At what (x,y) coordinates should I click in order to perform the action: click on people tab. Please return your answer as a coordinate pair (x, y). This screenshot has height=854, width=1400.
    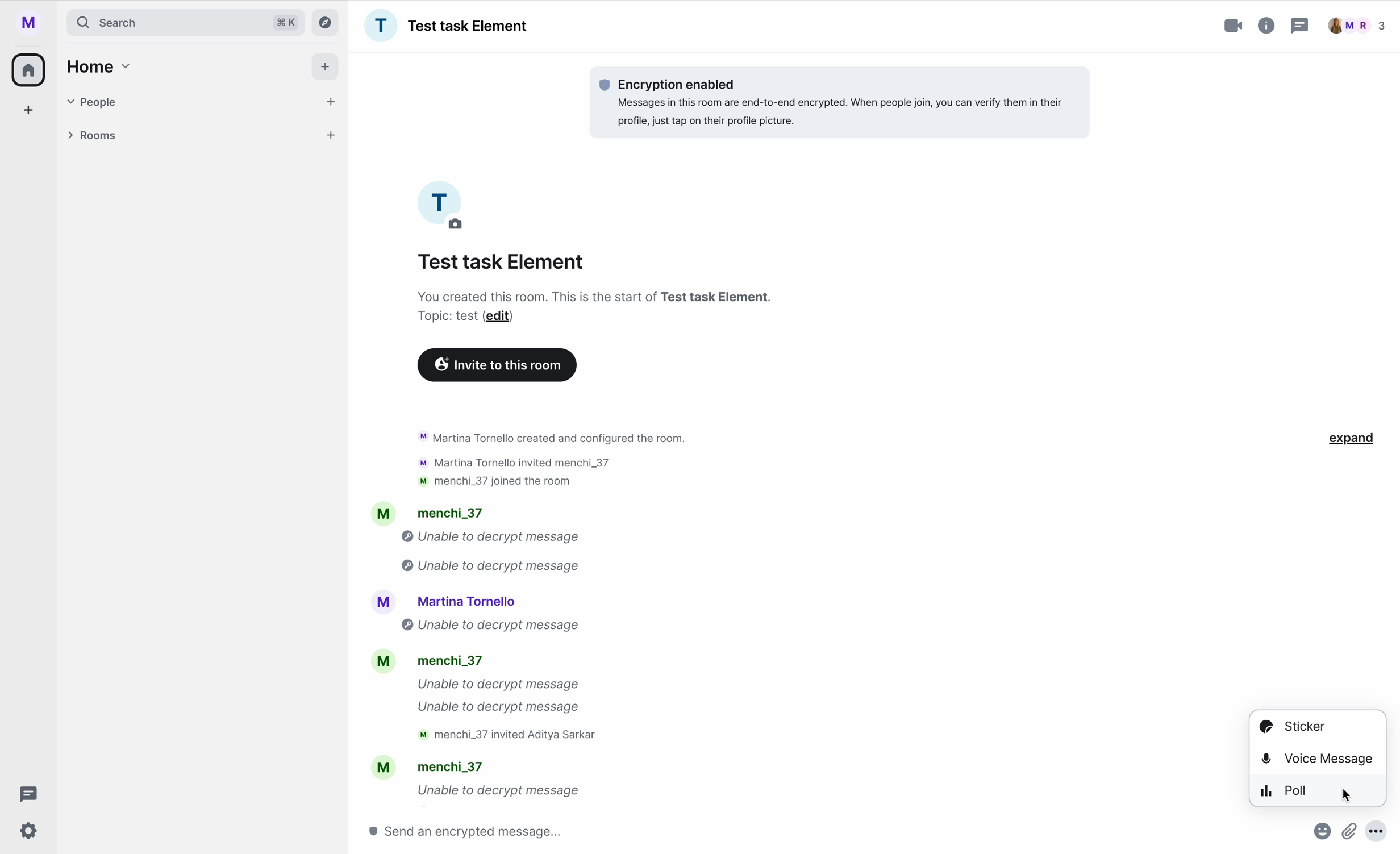
    Looking at the image, I should click on (203, 102).